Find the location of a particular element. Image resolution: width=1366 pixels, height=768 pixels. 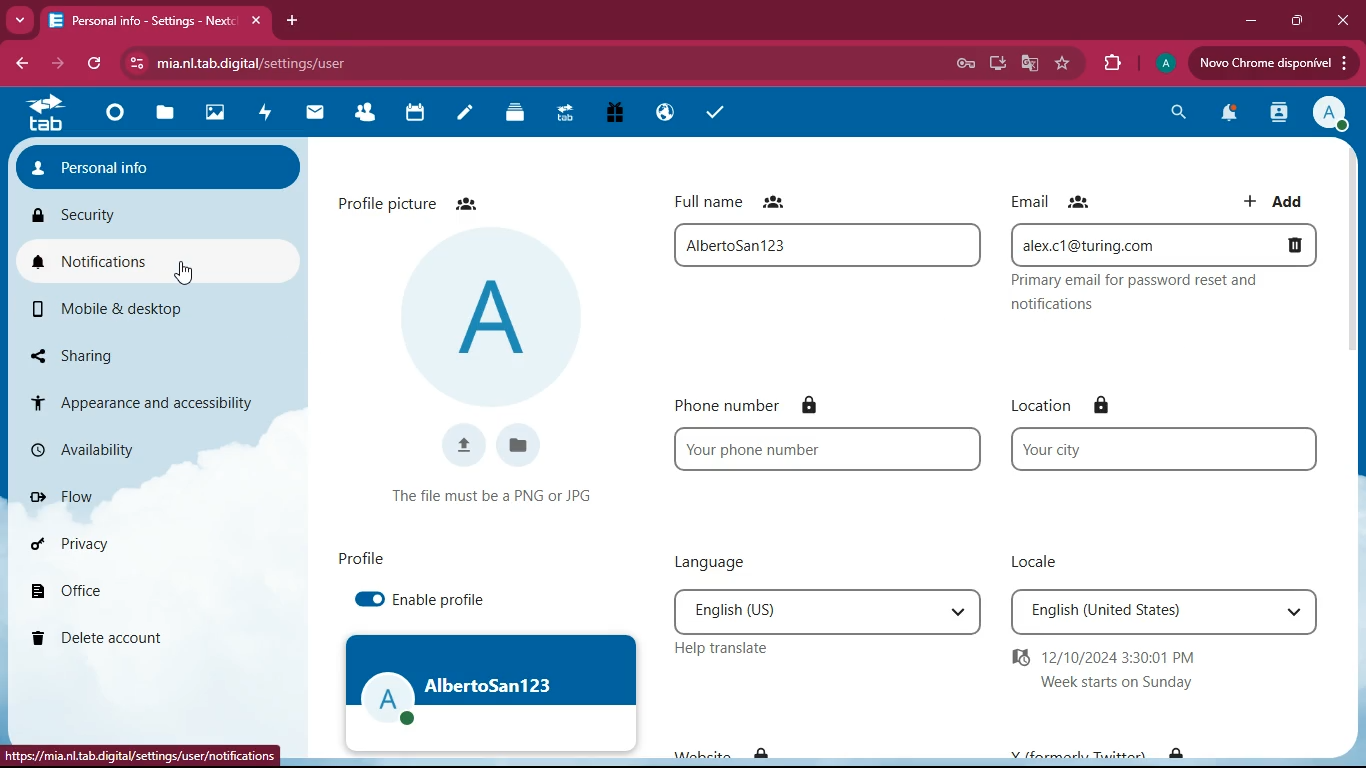

files is located at coordinates (169, 112).